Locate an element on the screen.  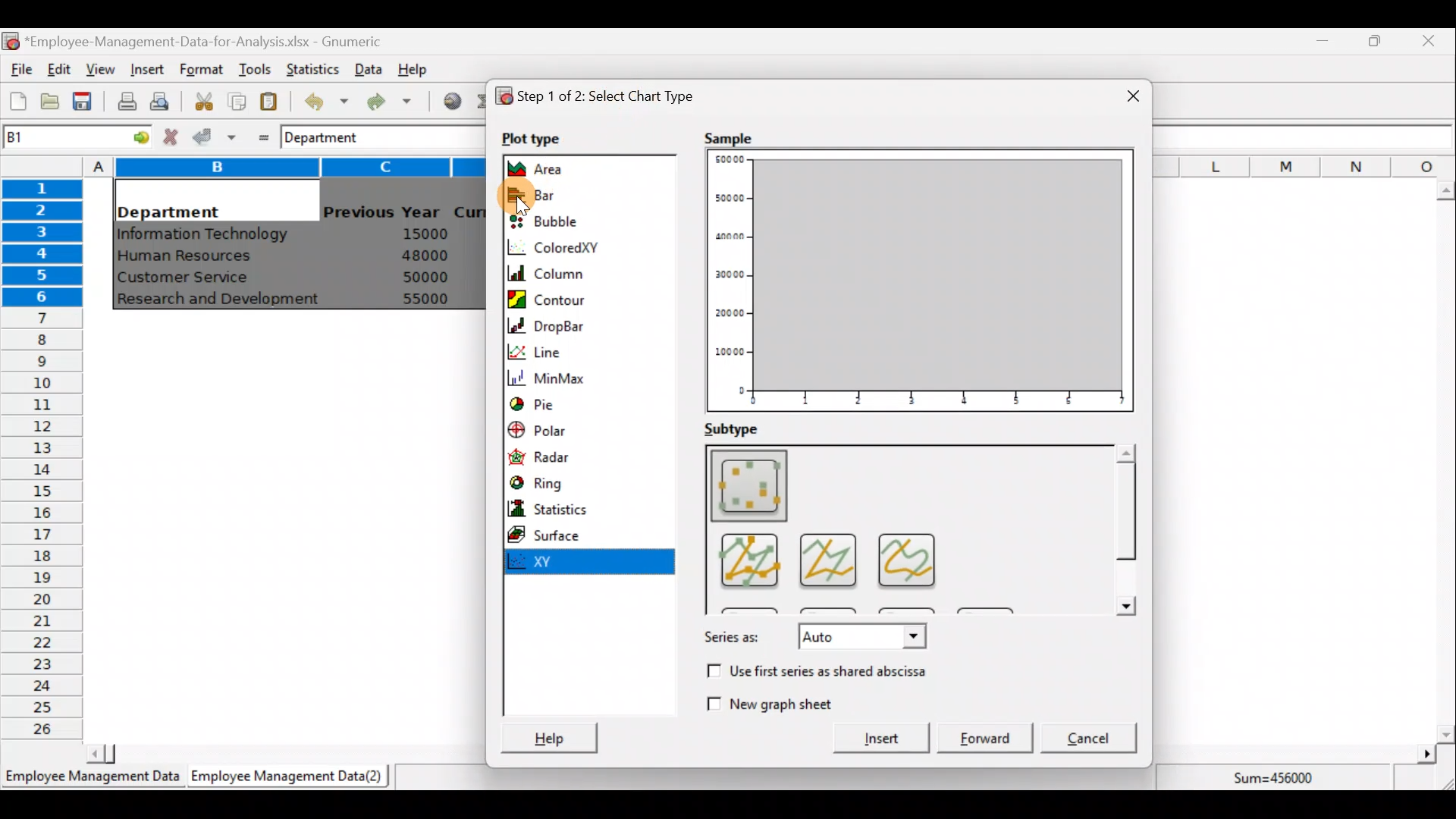
Copy the selection is located at coordinates (236, 99).